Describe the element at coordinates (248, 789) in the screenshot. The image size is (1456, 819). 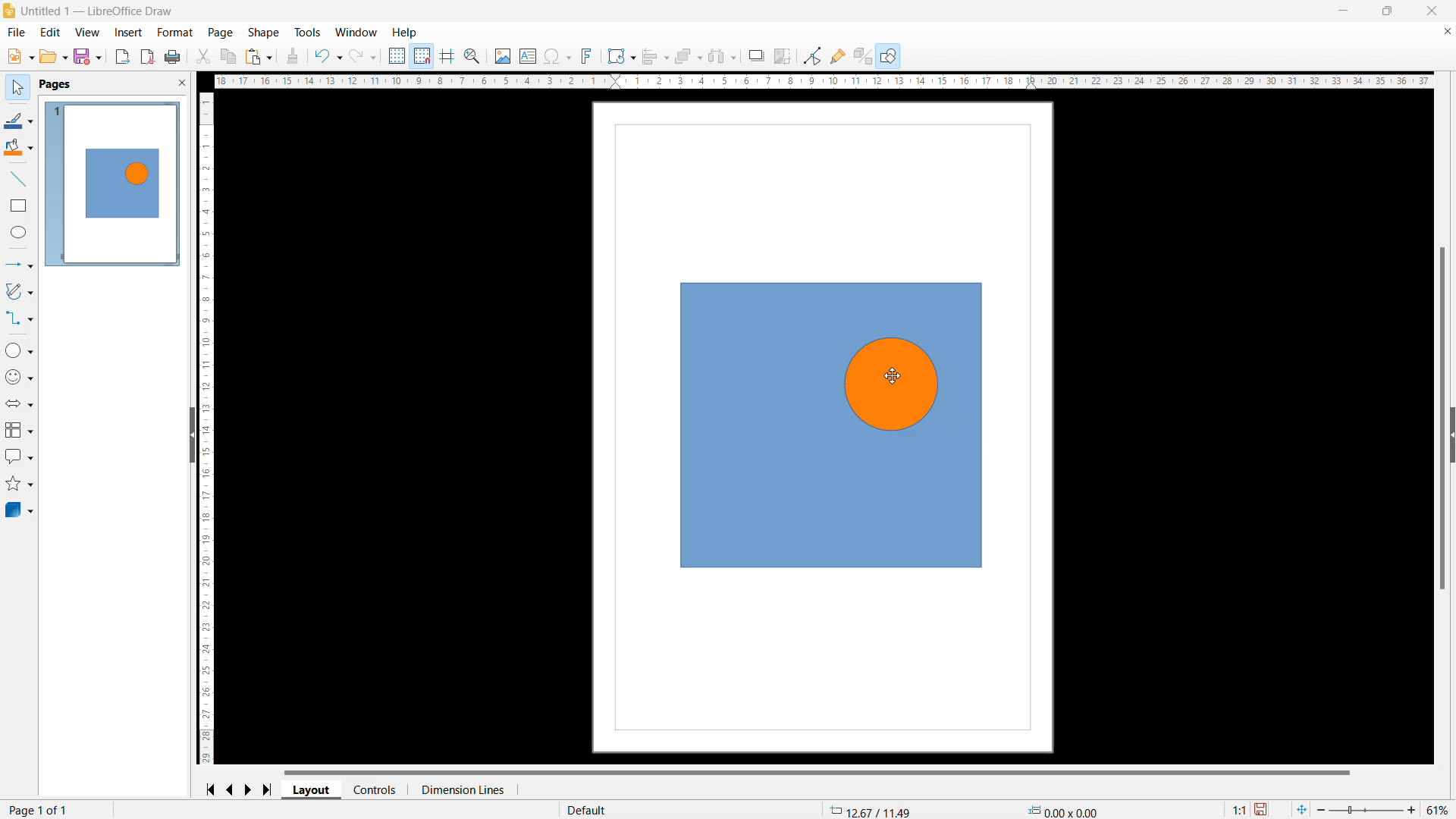
I see `go to next page` at that location.